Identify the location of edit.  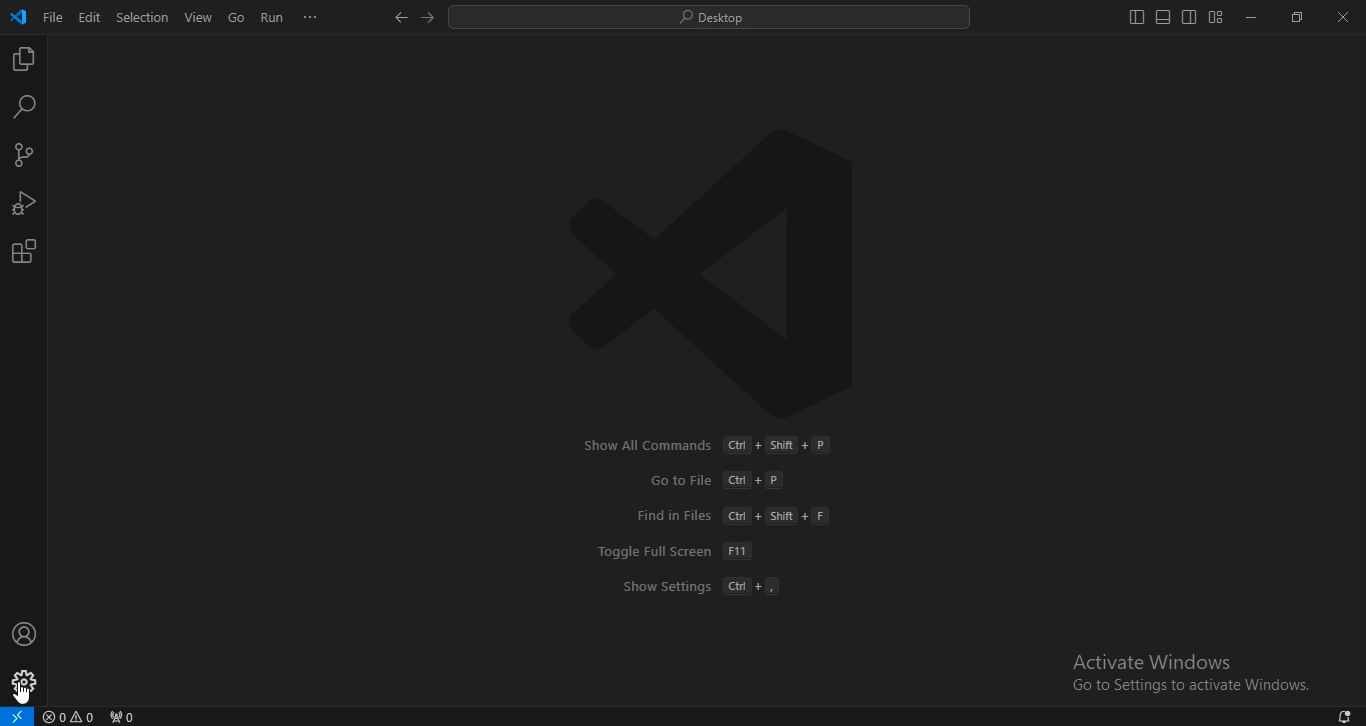
(89, 19).